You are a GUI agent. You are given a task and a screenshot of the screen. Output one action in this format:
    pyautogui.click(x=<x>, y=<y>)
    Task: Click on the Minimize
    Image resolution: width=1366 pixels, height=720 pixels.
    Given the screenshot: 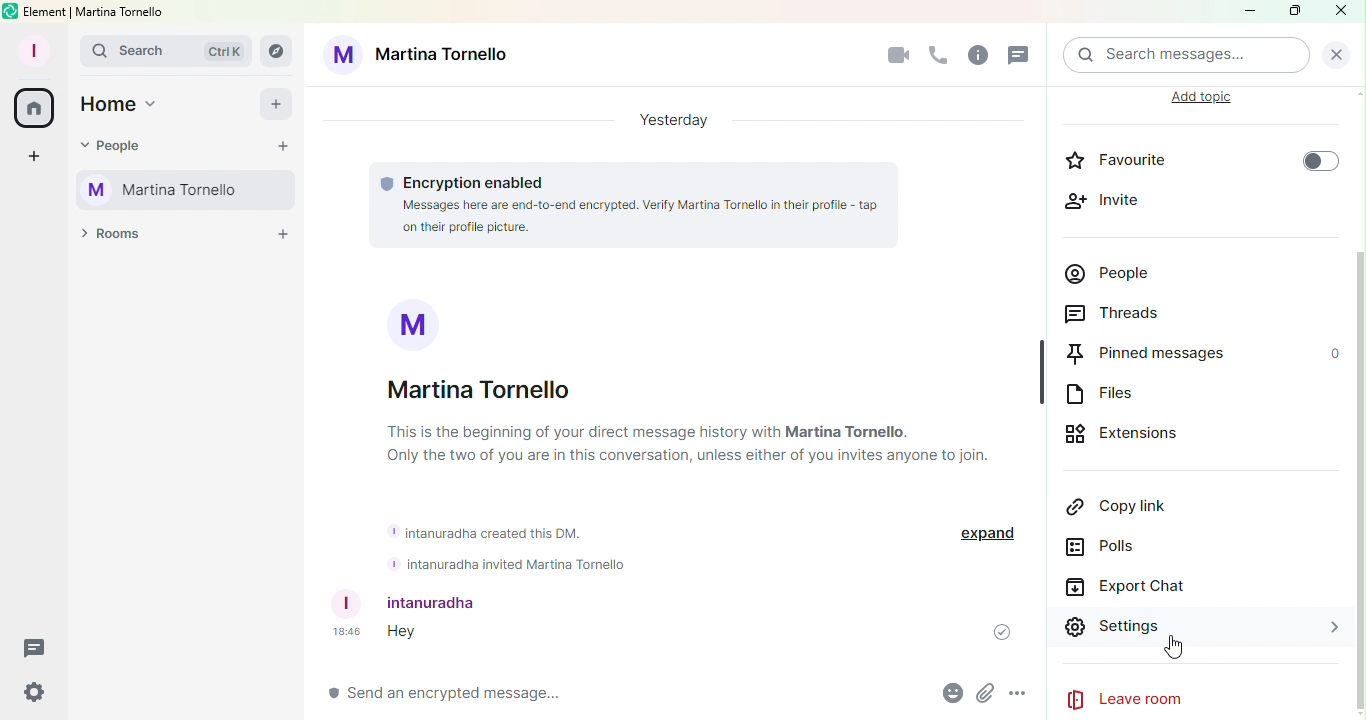 What is the action you would take?
    pyautogui.click(x=1249, y=13)
    